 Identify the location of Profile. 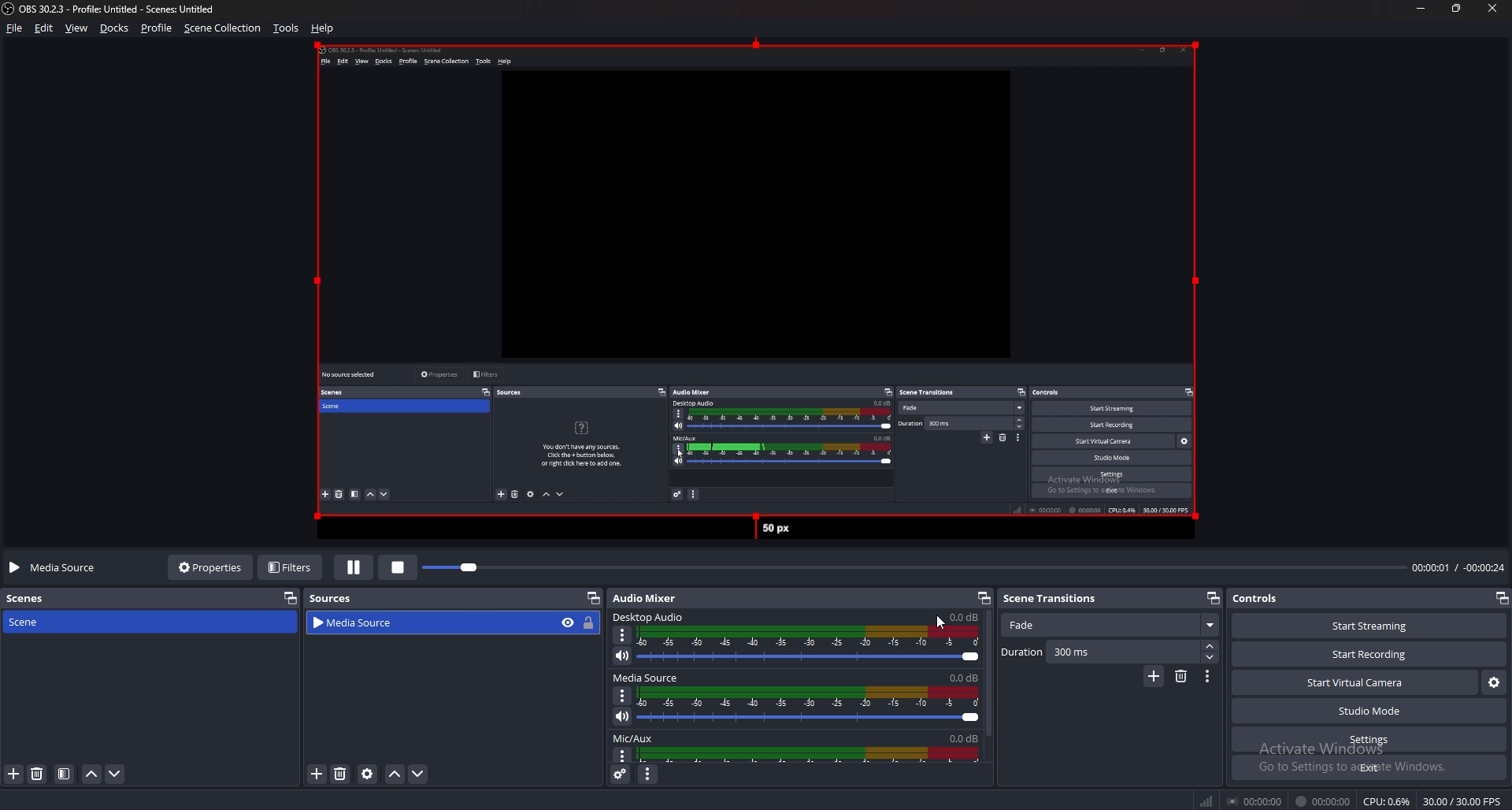
(156, 28).